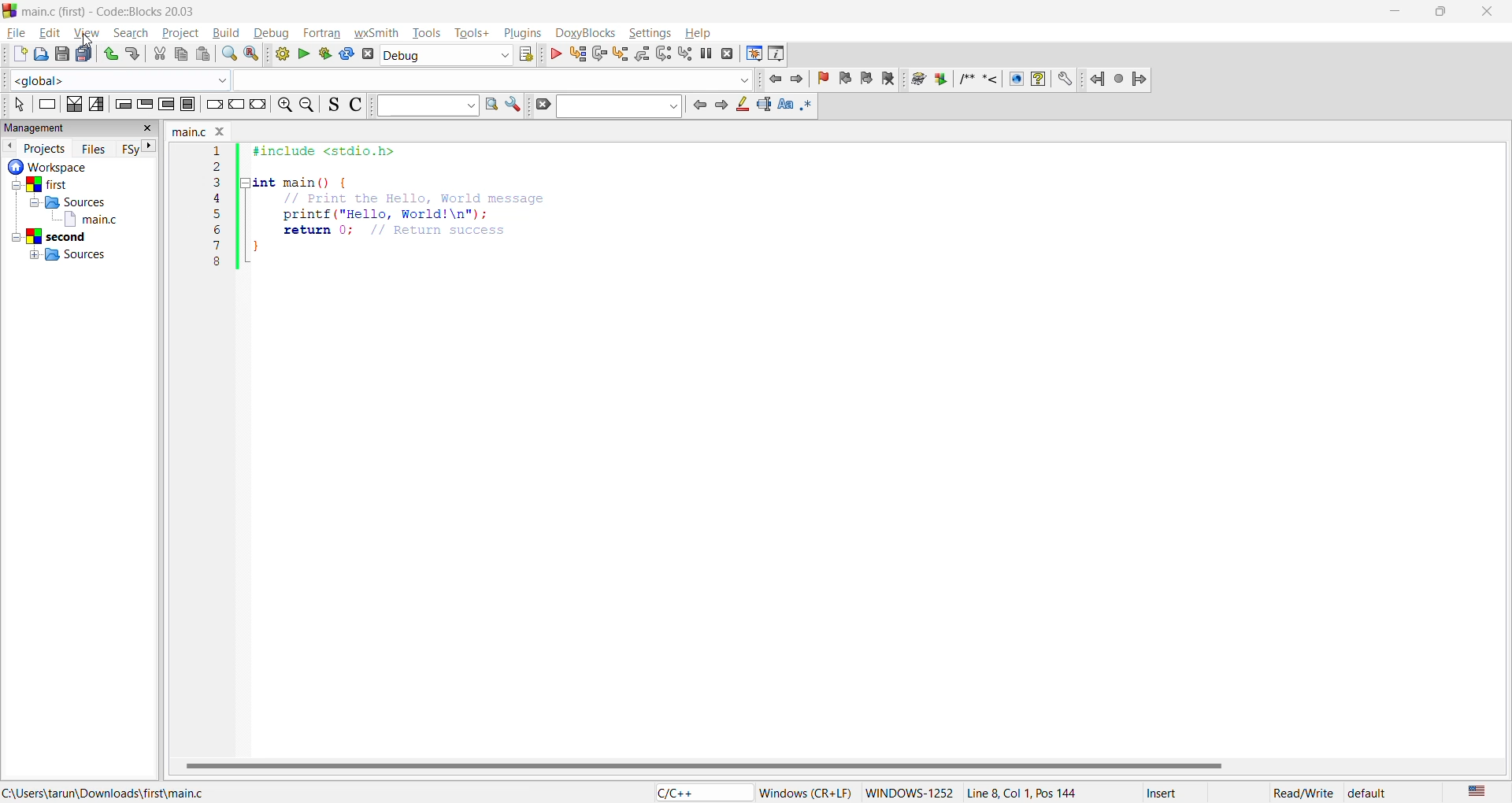  I want to click on counting loop, so click(167, 103).